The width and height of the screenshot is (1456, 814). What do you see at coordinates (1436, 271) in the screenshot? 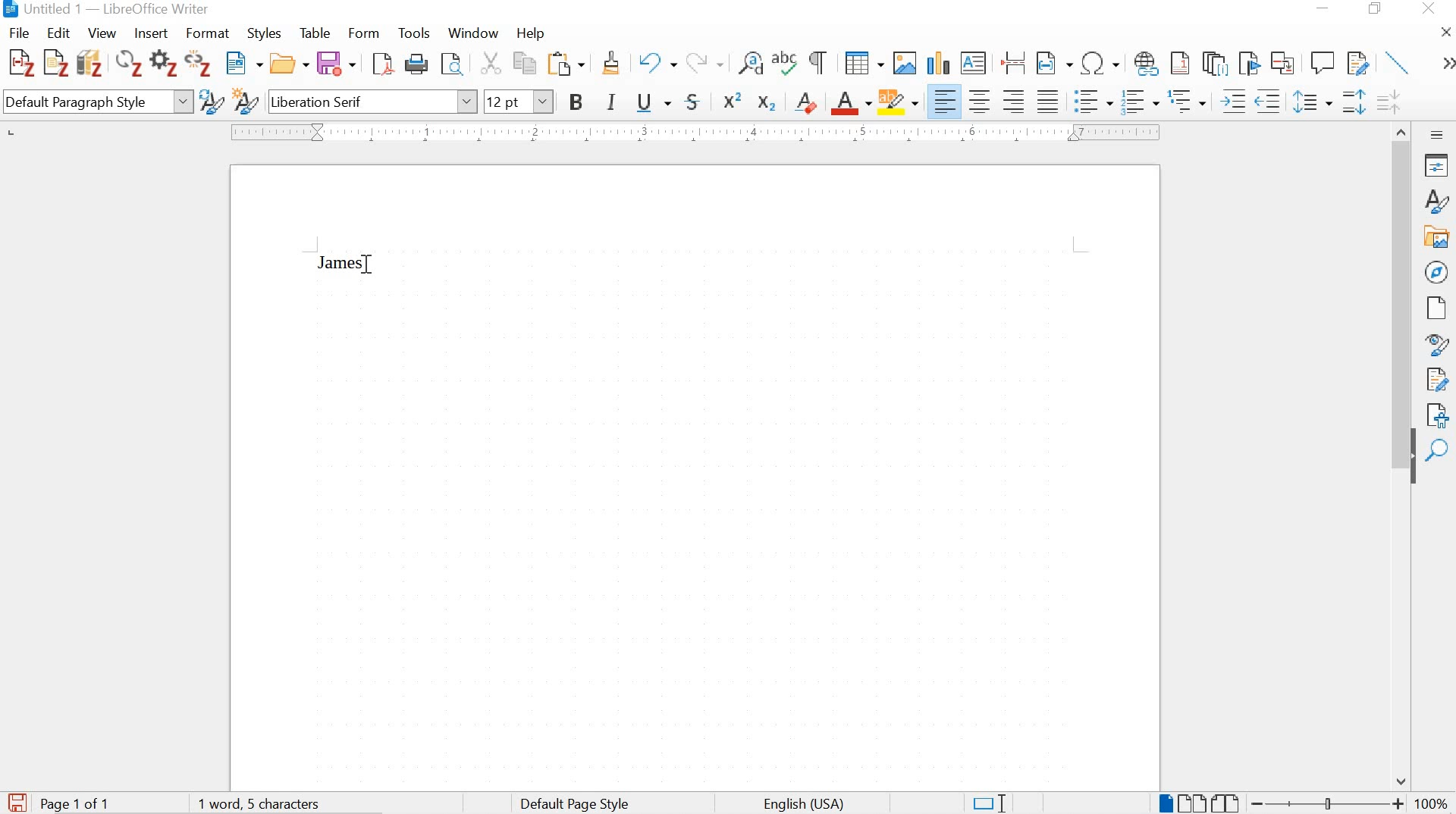
I see `navigator` at bounding box center [1436, 271].